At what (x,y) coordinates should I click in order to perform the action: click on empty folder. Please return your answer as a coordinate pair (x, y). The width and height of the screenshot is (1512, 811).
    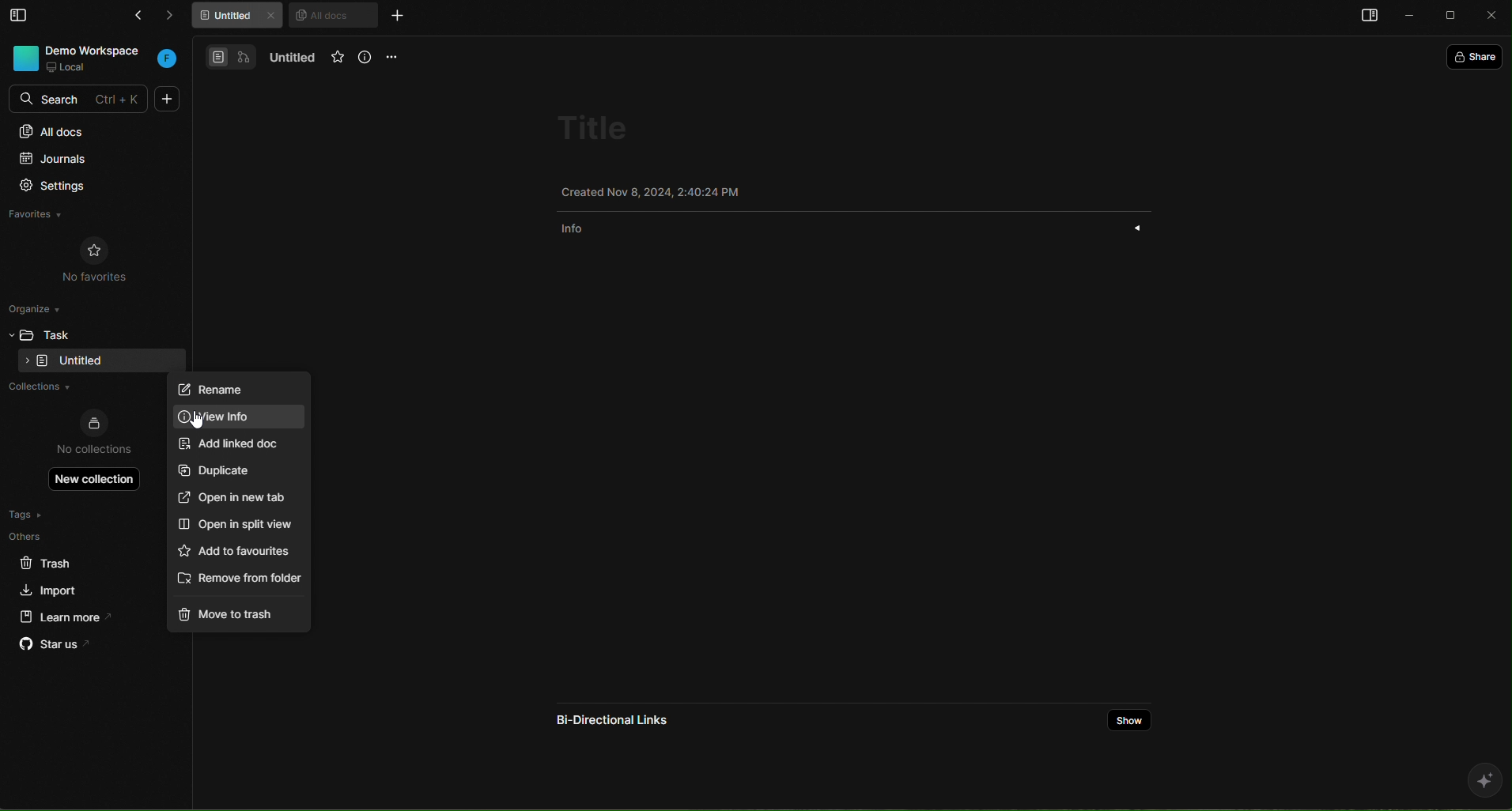
    Looking at the image, I should click on (81, 362).